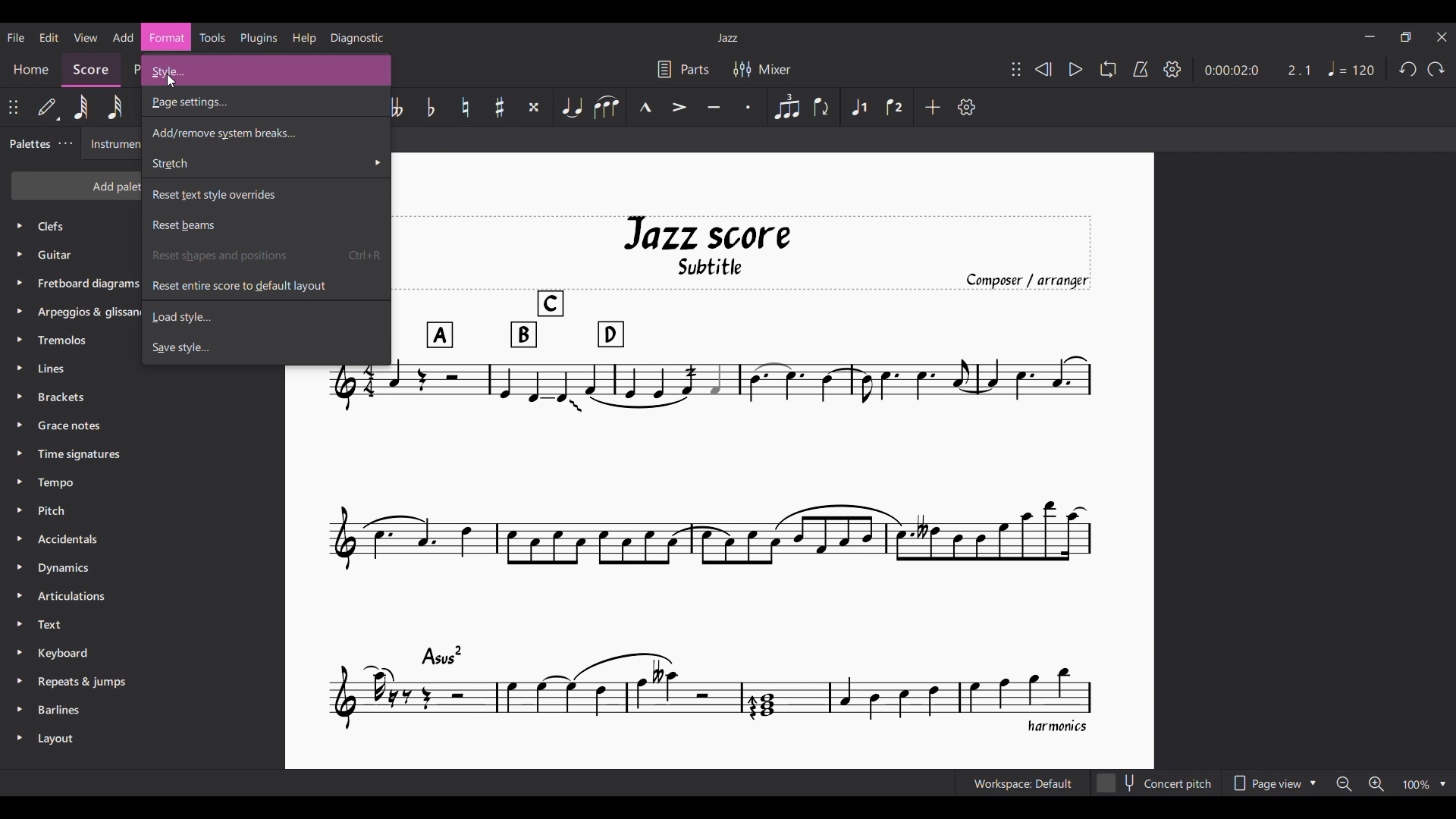 Image resolution: width=1456 pixels, height=819 pixels. Describe the element at coordinates (227, 314) in the screenshot. I see `Load style` at that location.